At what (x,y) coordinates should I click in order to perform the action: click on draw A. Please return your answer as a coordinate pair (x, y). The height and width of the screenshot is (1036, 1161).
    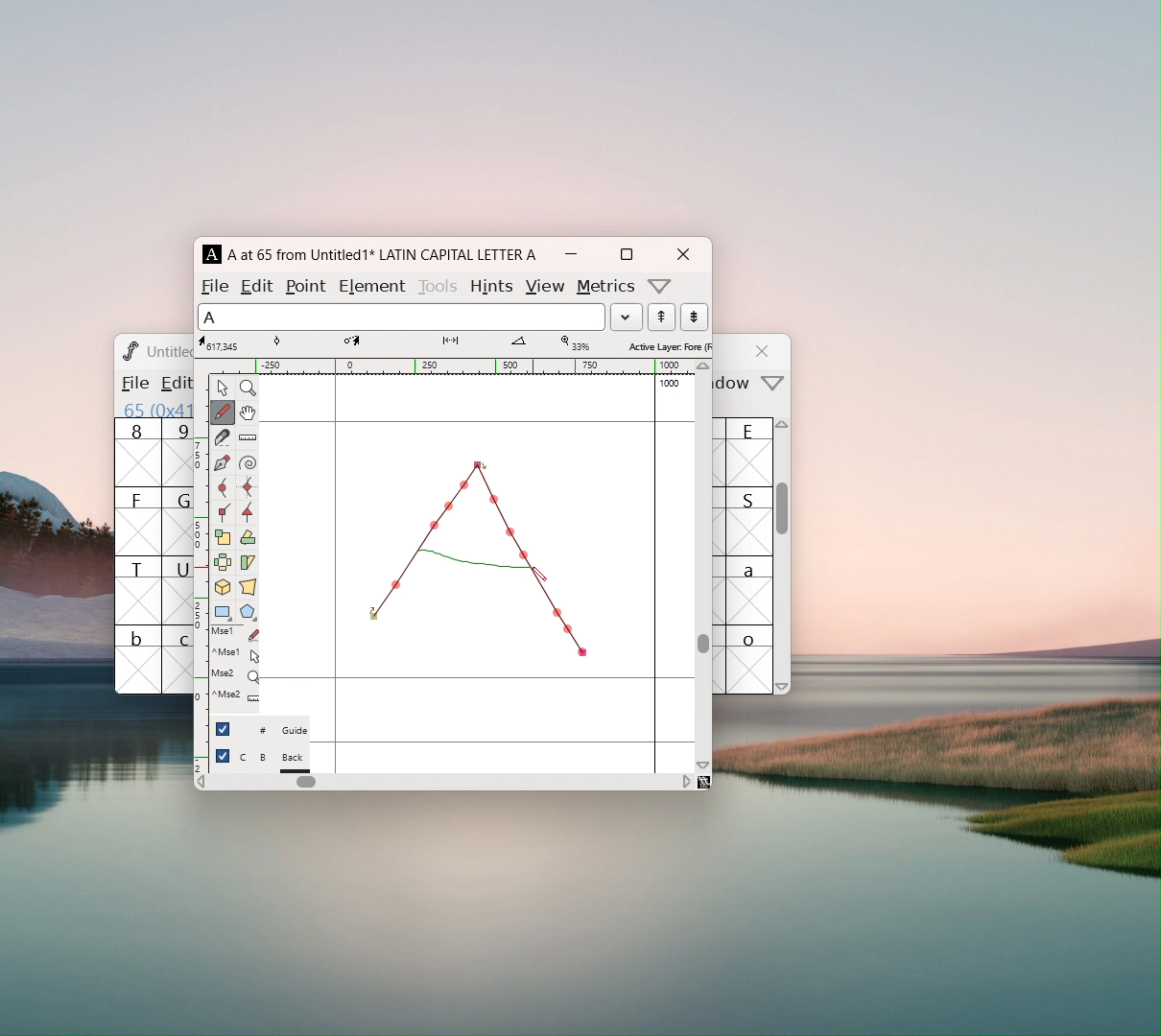
    Looking at the image, I should click on (475, 561).